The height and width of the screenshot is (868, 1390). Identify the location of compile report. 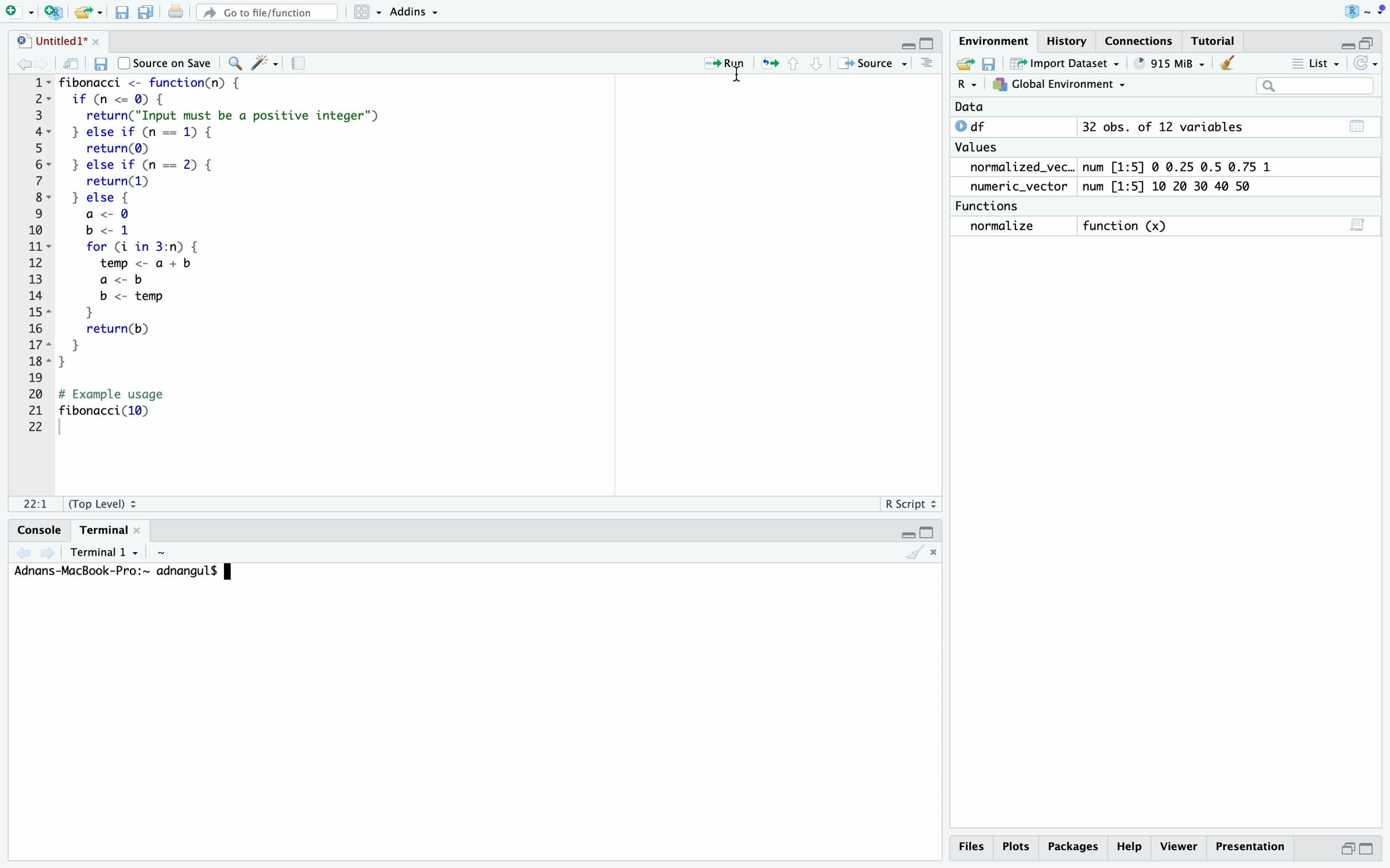
(298, 64).